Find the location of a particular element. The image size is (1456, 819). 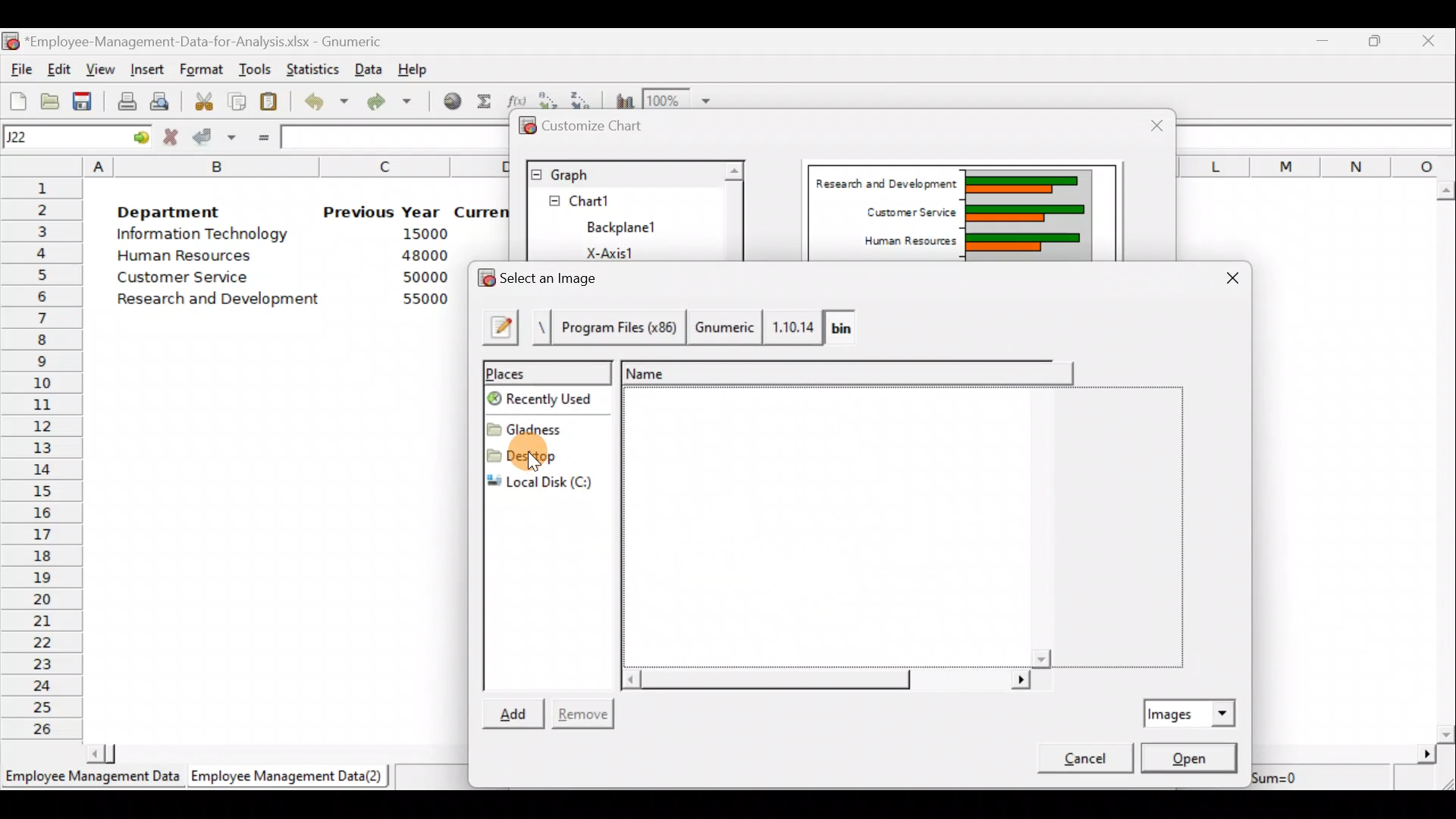

Data is located at coordinates (369, 67).